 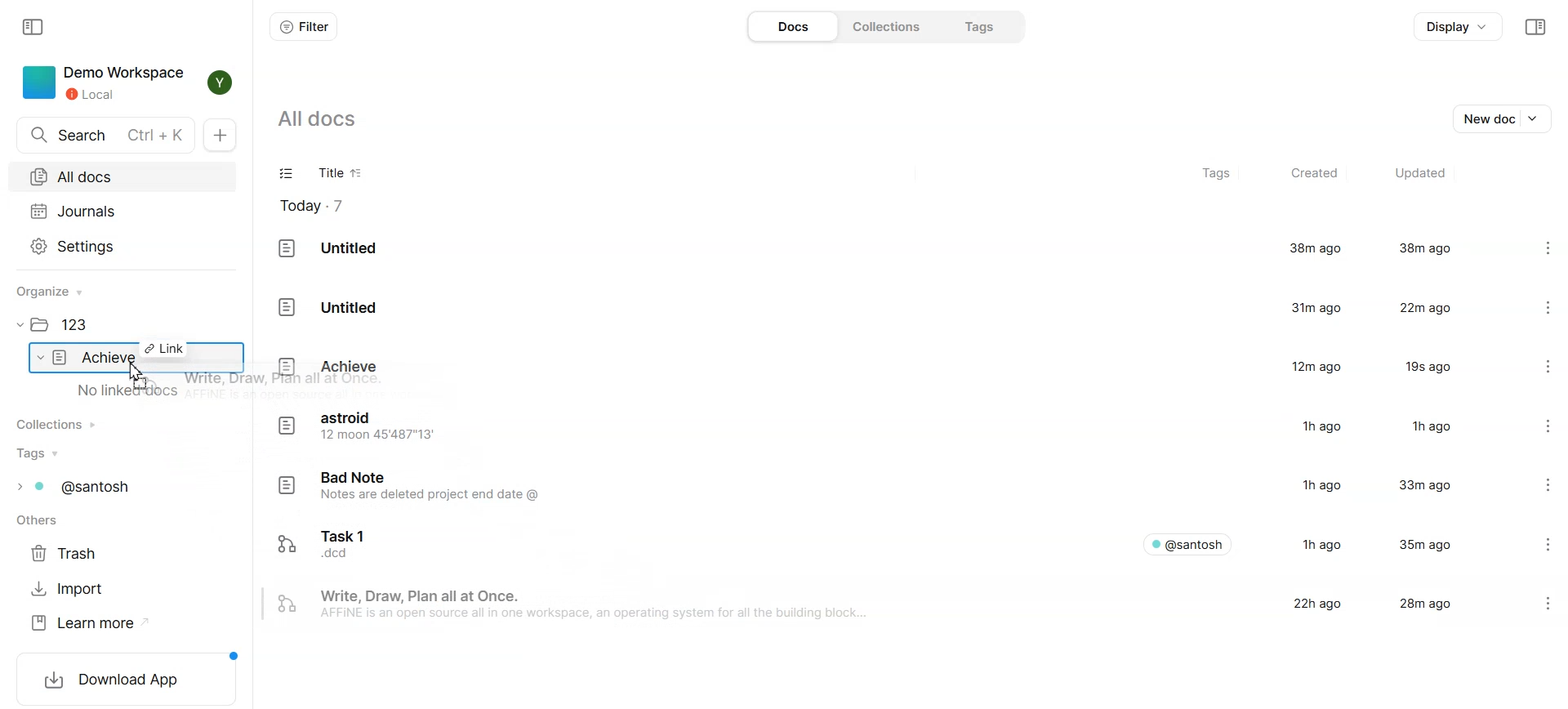 I want to click on Doc File, so click(x=879, y=305).